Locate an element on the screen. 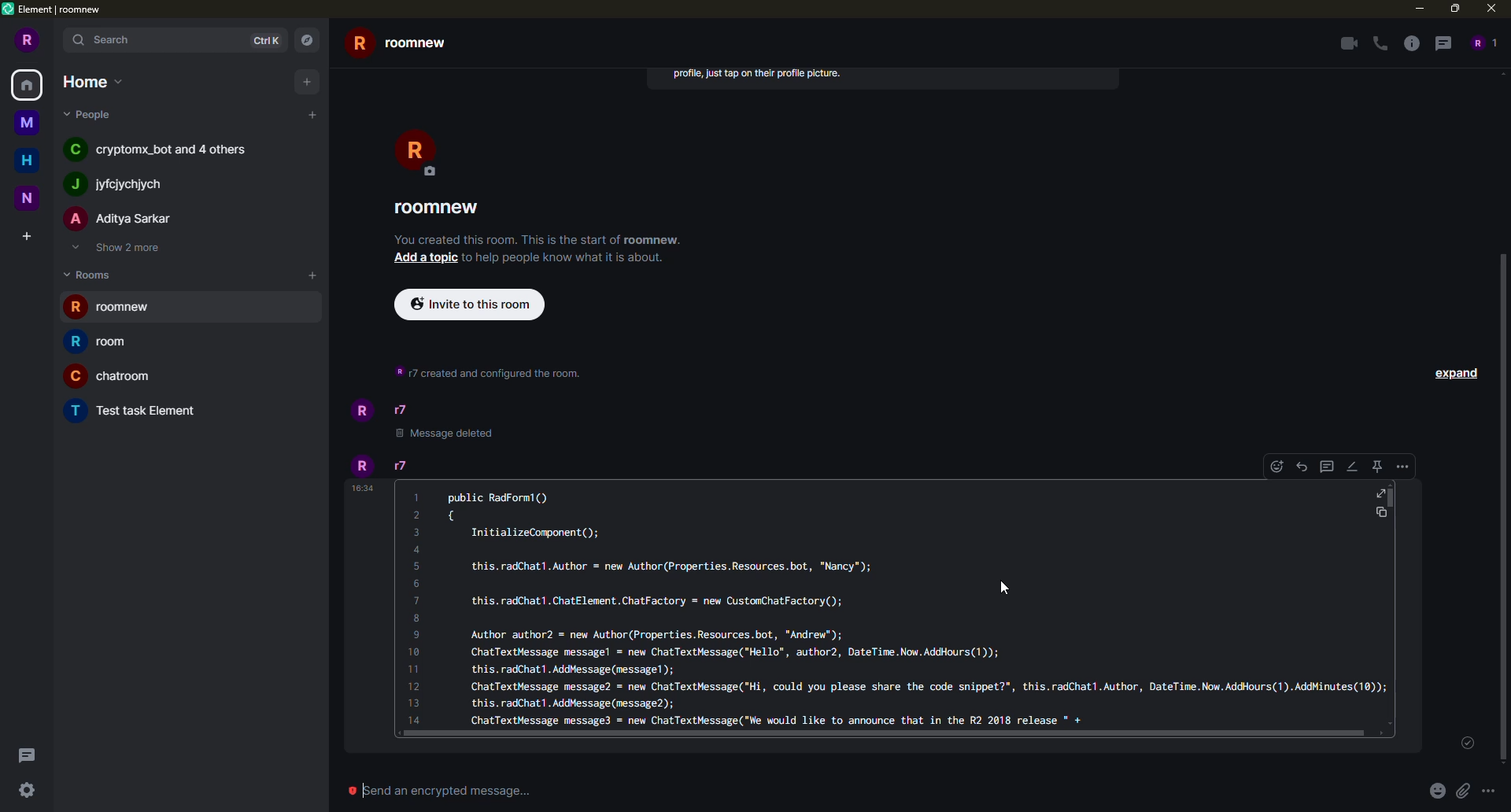 The height and width of the screenshot is (812, 1511). profile is located at coordinates (28, 40).